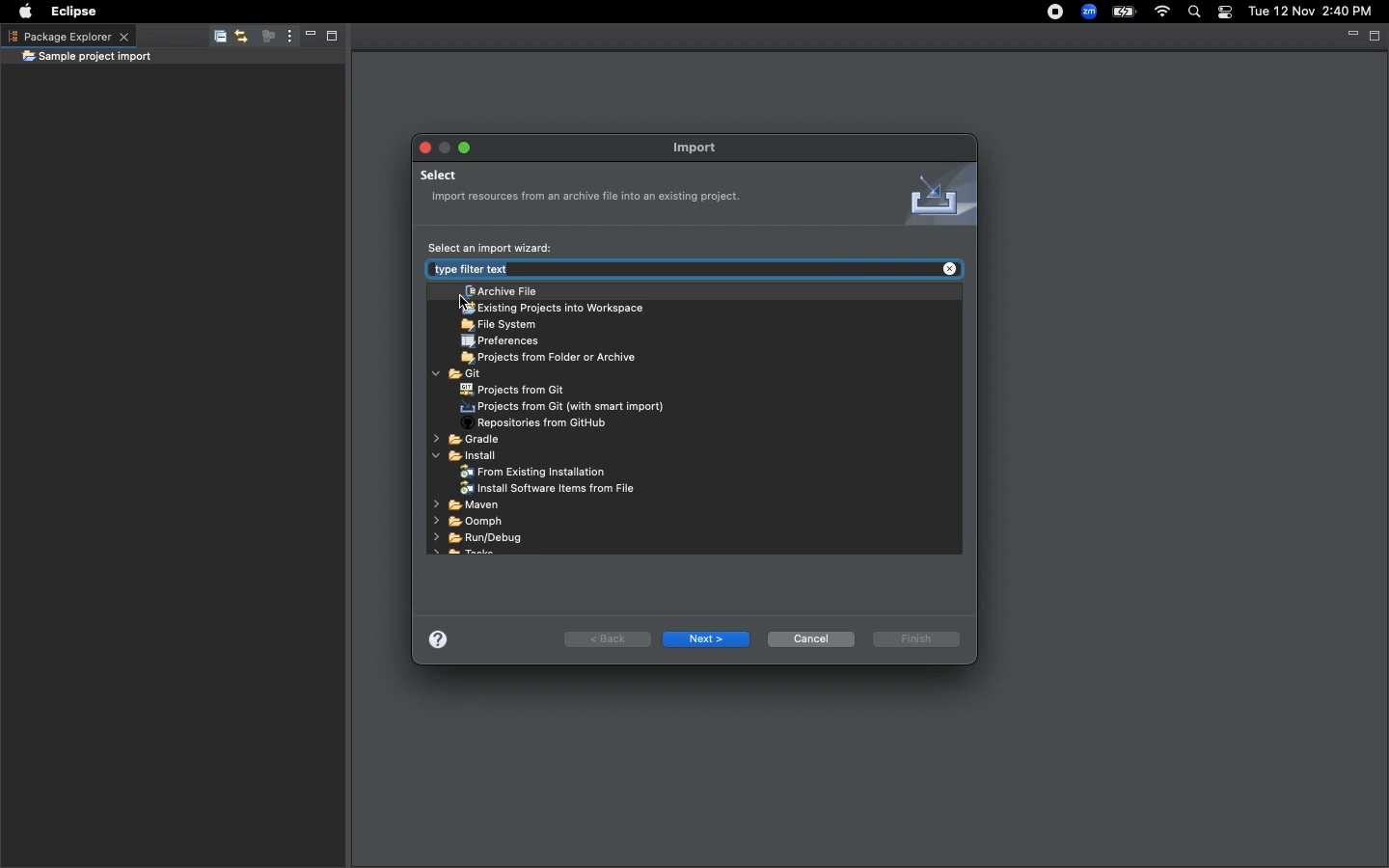 The image size is (1389, 868). I want to click on View menu, so click(286, 37).